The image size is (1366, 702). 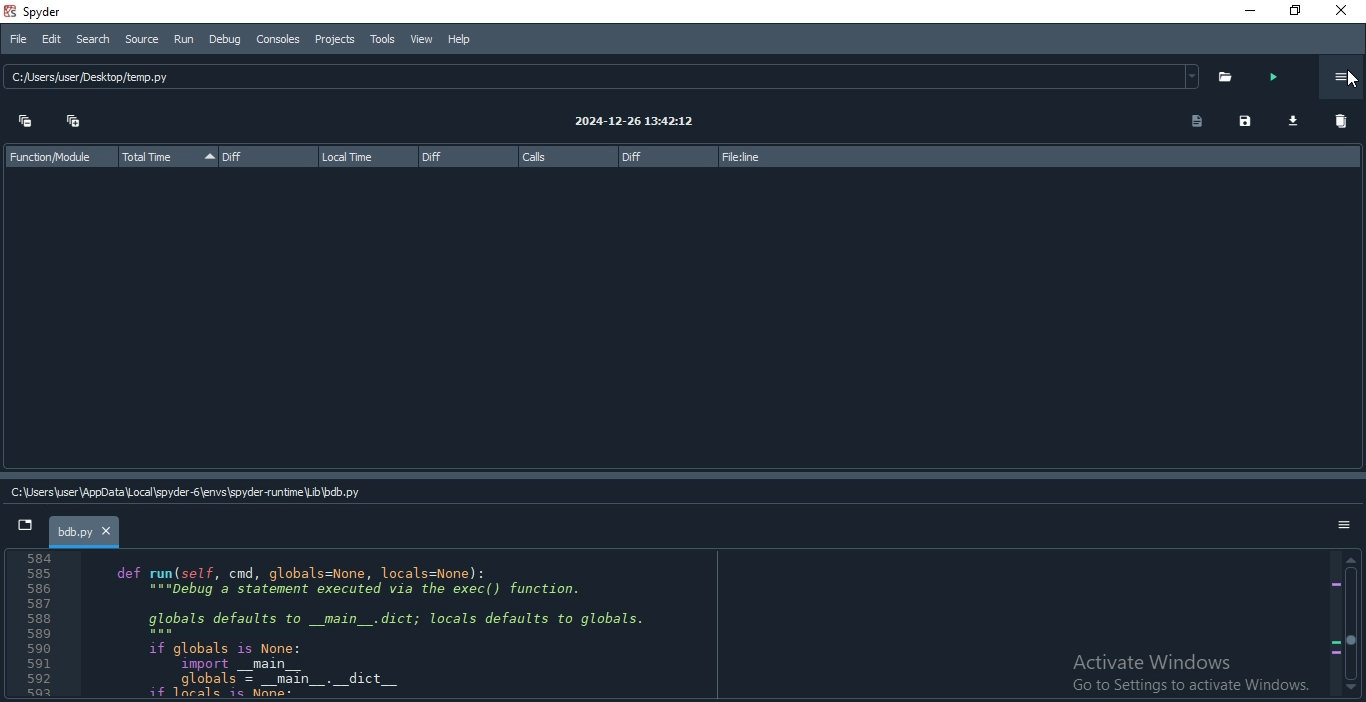 What do you see at coordinates (144, 40) in the screenshot?
I see `Source` at bounding box center [144, 40].